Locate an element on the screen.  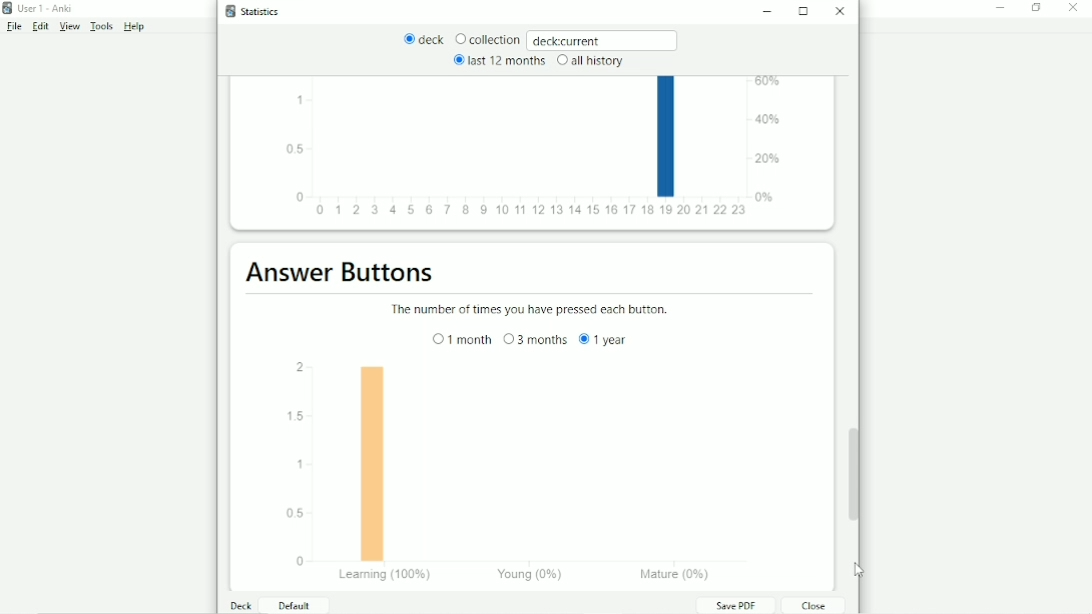
Default is located at coordinates (292, 605).